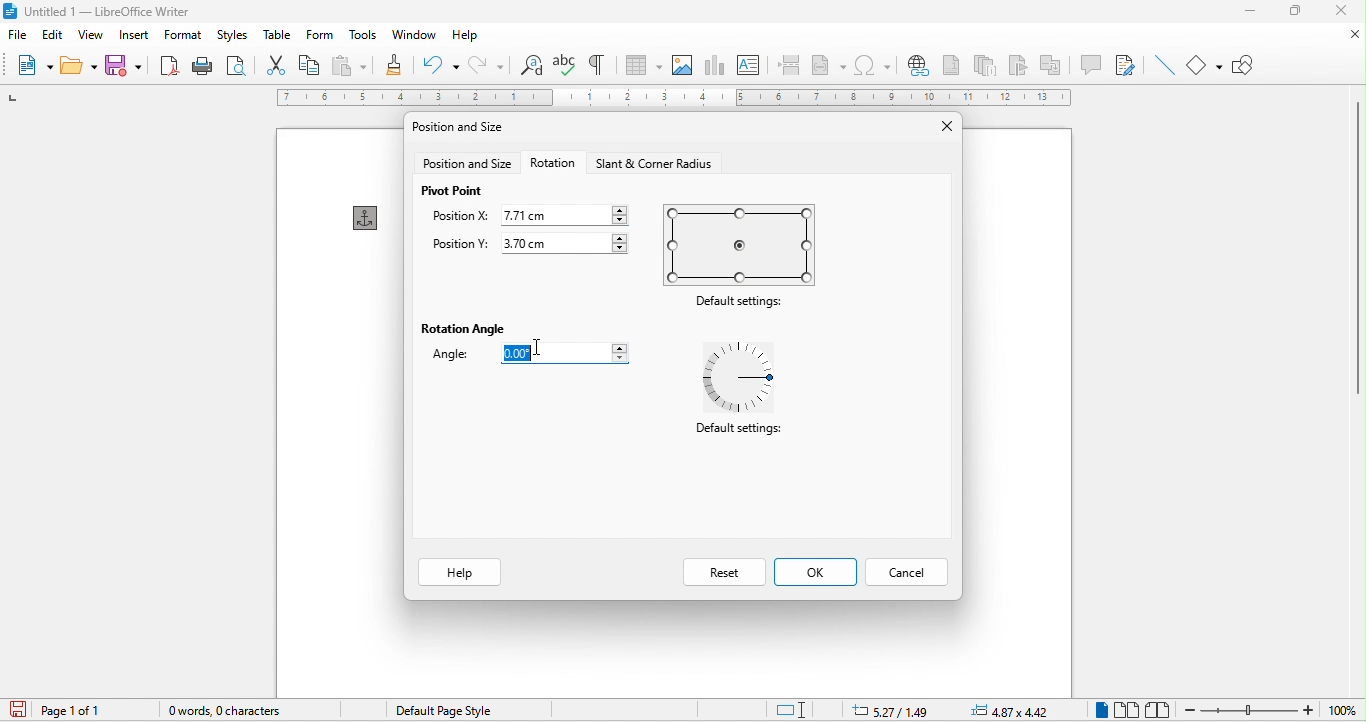  What do you see at coordinates (316, 36) in the screenshot?
I see `form` at bounding box center [316, 36].